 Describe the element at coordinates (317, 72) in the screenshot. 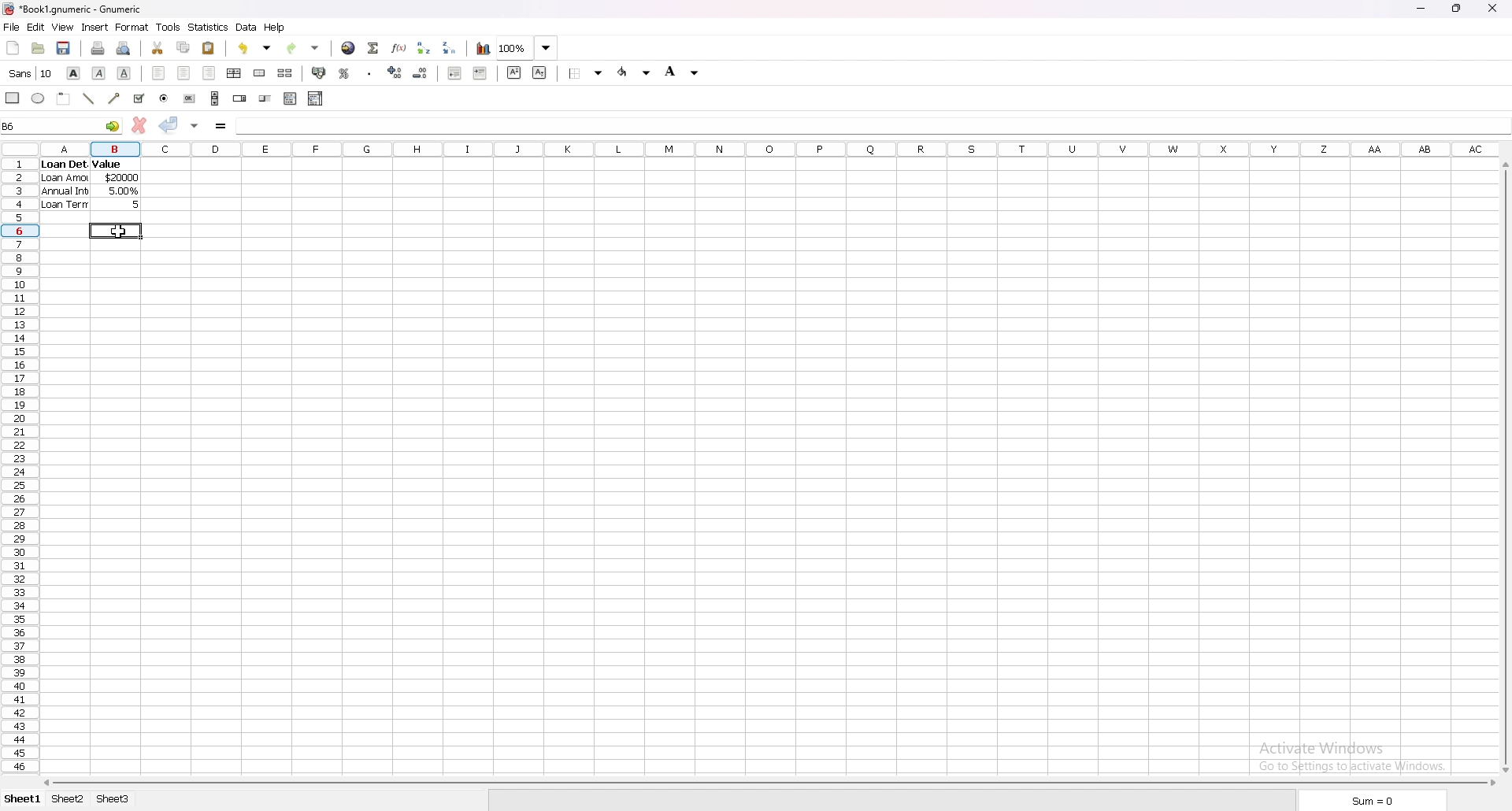

I see `accounting` at that location.